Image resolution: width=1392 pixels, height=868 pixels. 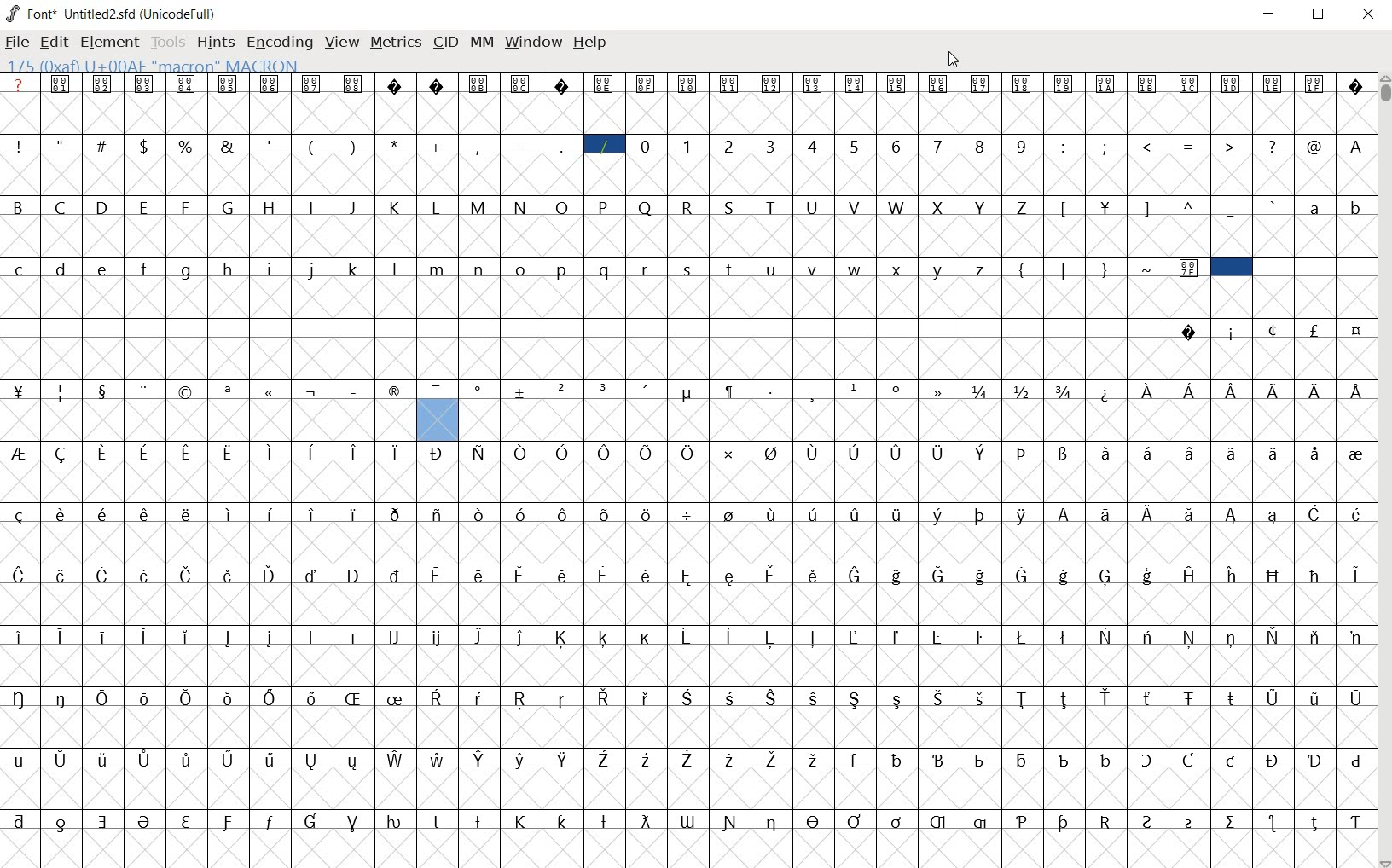 I want to click on Symbol, so click(x=562, y=452).